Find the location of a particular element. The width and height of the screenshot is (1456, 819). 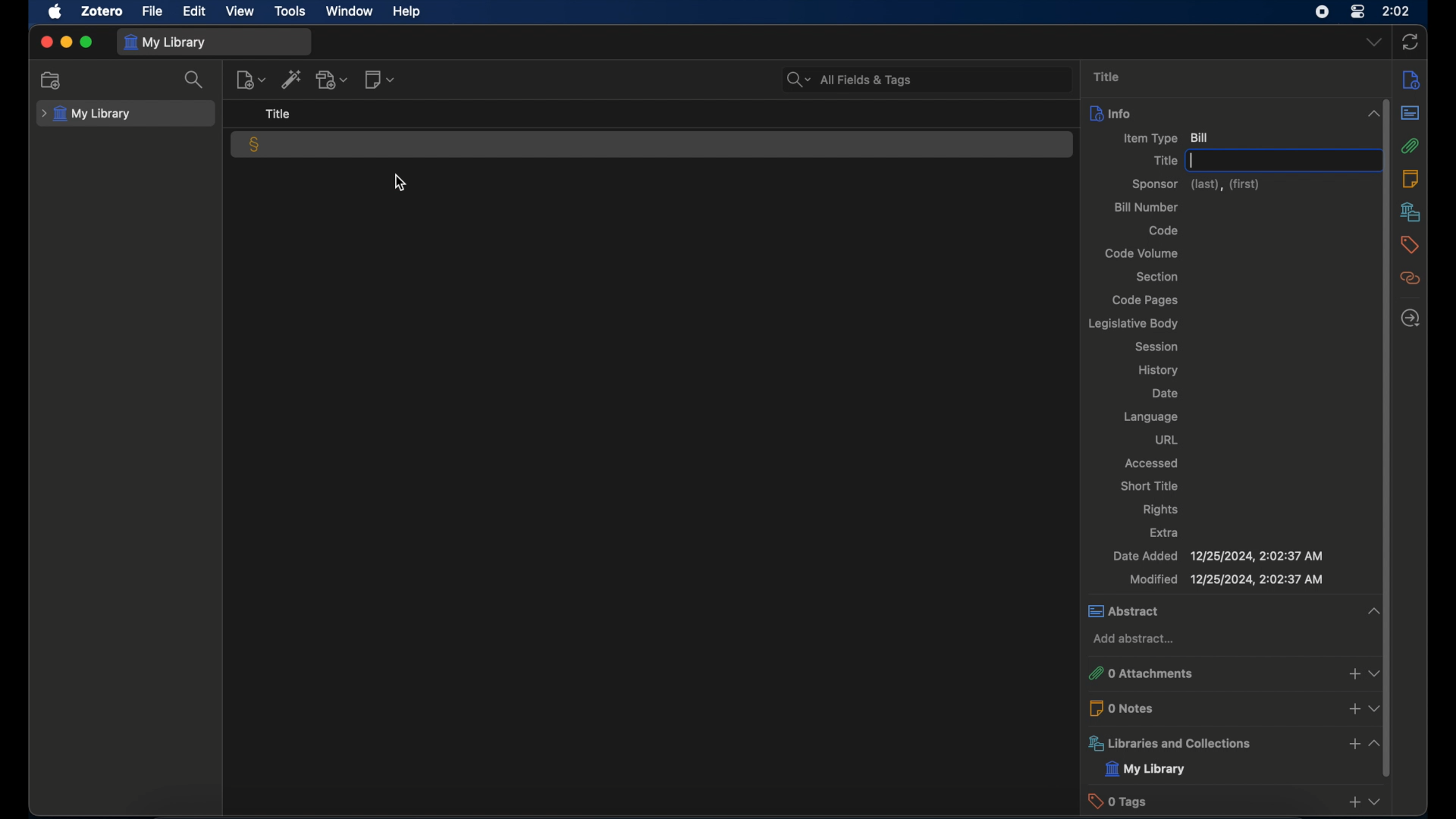

modified is located at coordinates (1228, 579).